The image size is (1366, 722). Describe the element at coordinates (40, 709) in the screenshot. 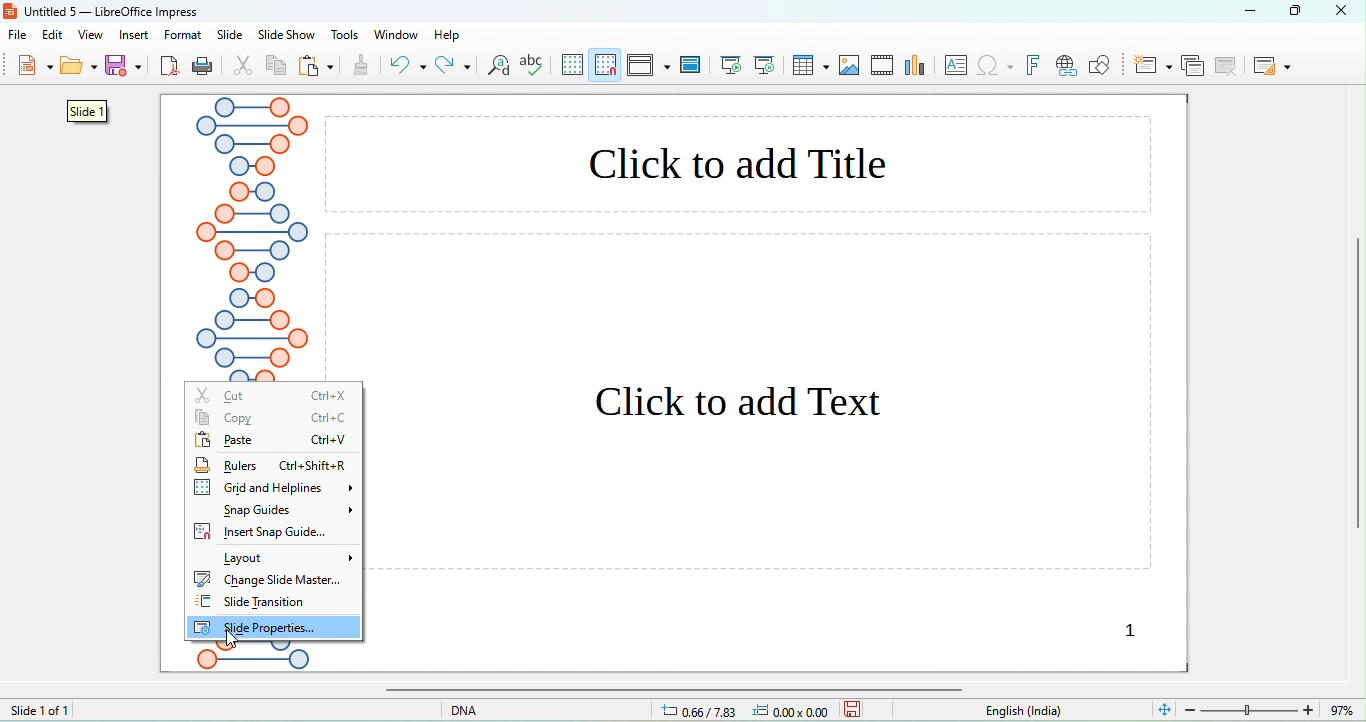

I see `slide 1 of 1` at that location.